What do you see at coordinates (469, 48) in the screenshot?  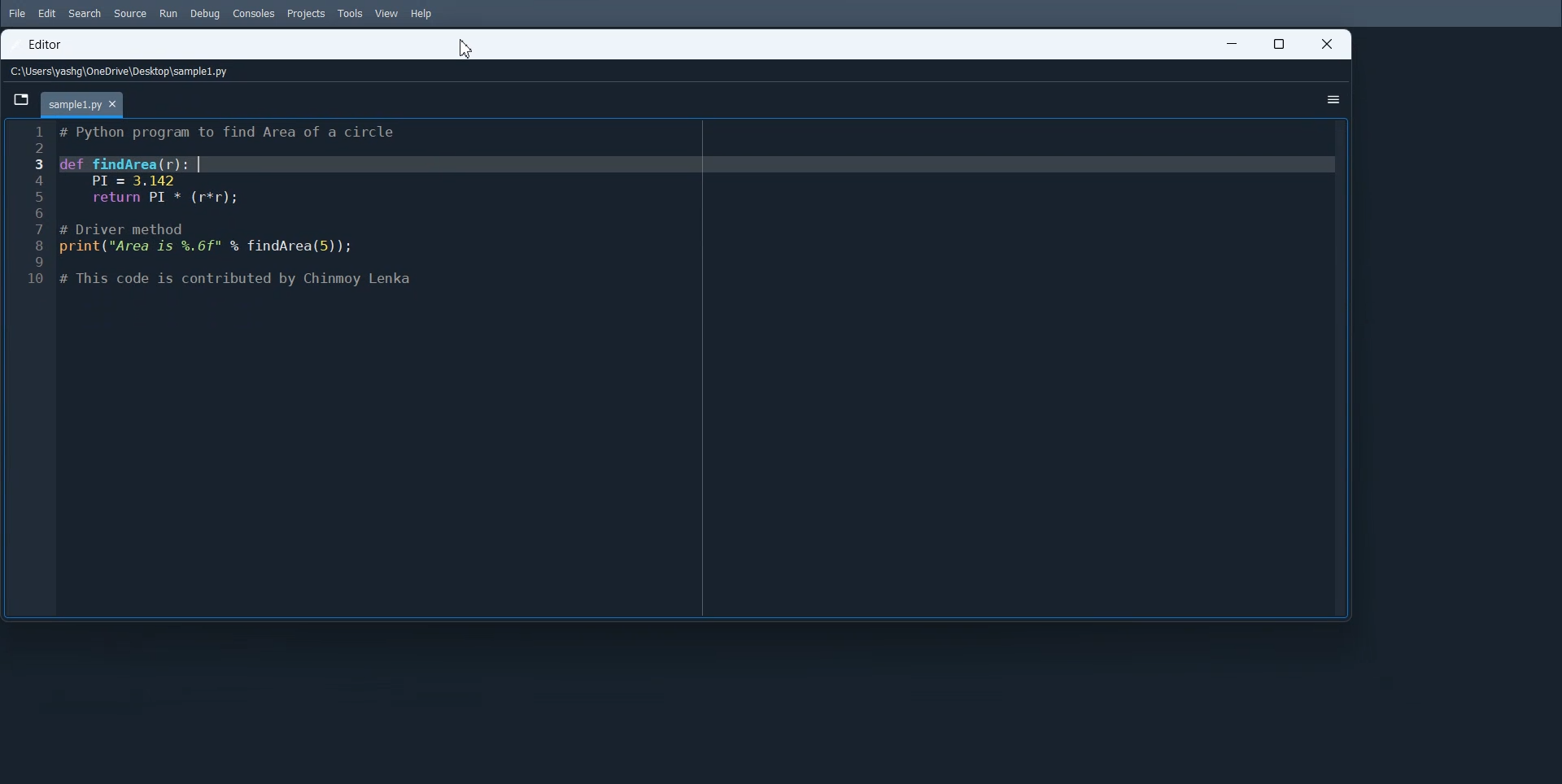 I see `Cursor` at bounding box center [469, 48].